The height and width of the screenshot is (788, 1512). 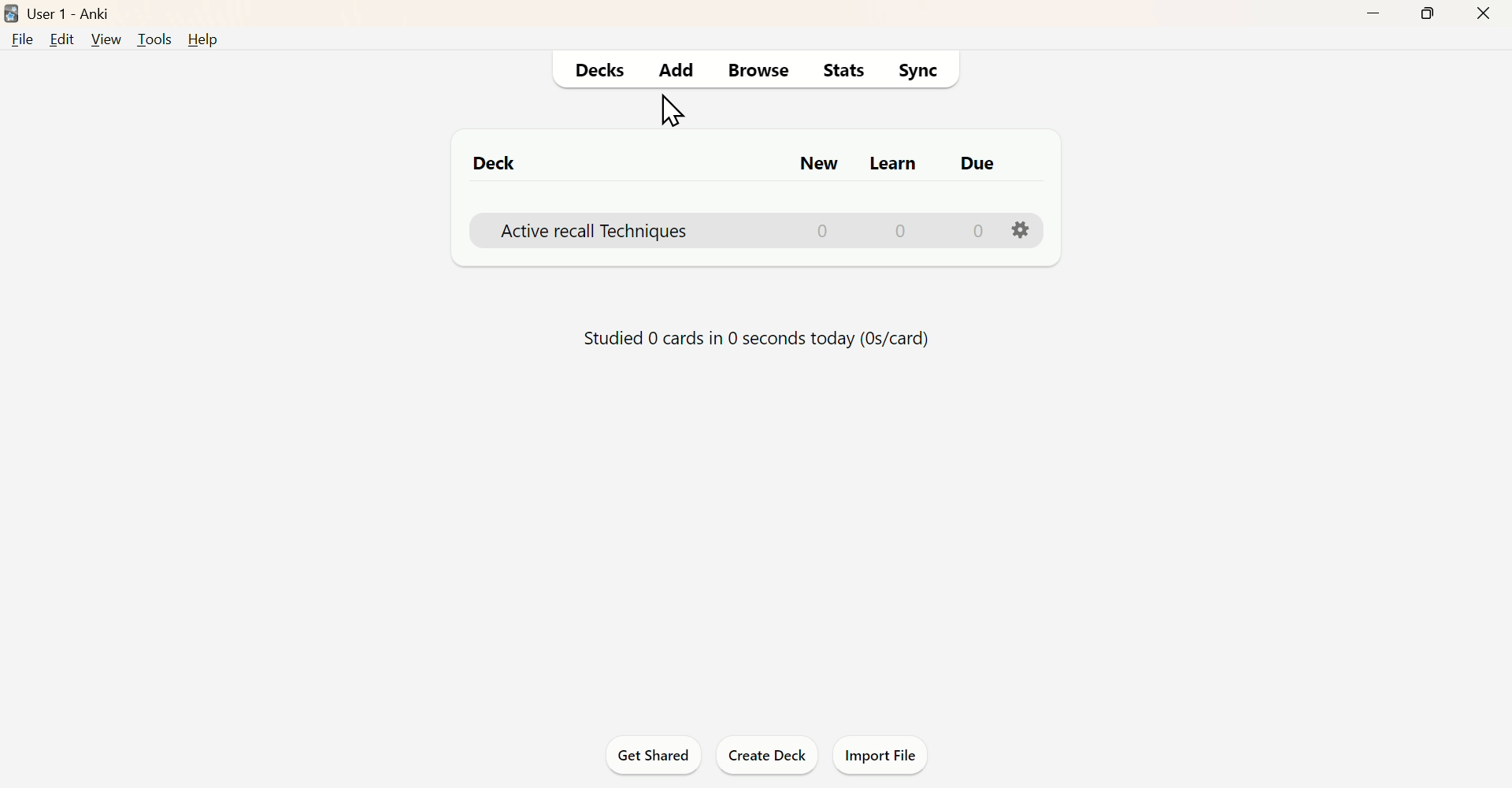 I want to click on Due, so click(x=976, y=165).